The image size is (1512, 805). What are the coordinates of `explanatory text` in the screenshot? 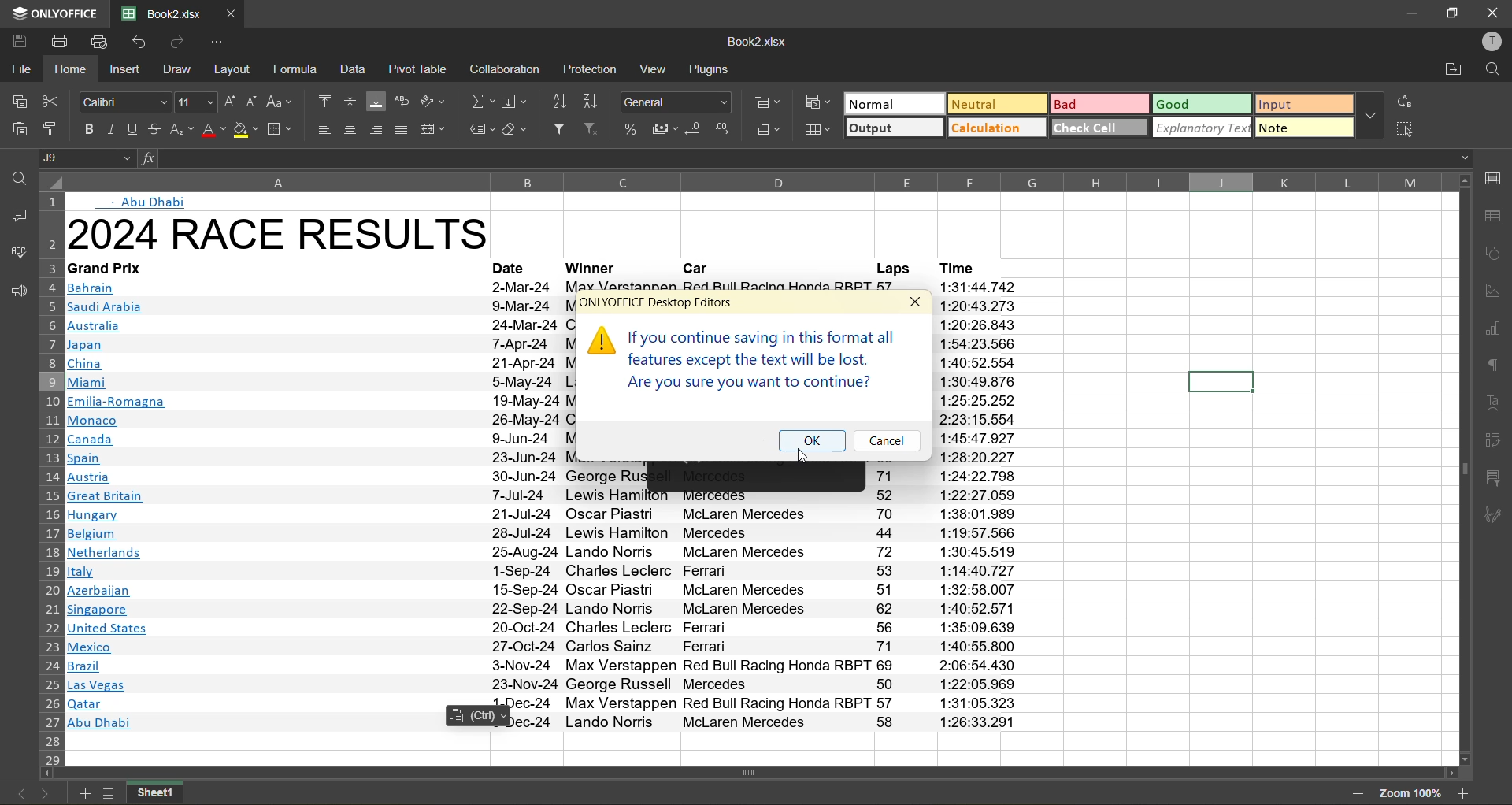 It's located at (1203, 129).